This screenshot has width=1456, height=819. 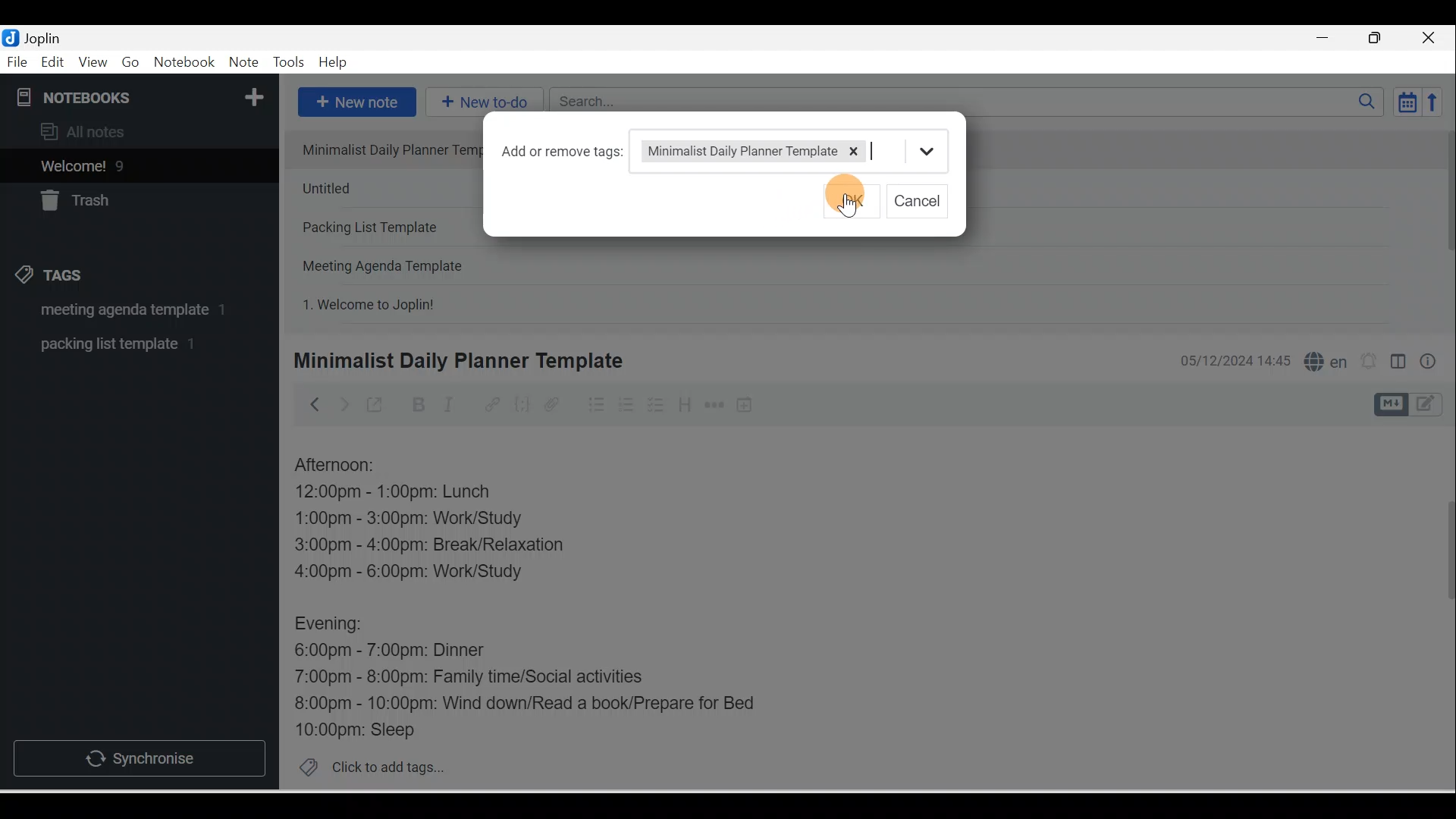 What do you see at coordinates (593, 404) in the screenshot?
I see `Bulleted list` at bounding box center [593, 404].